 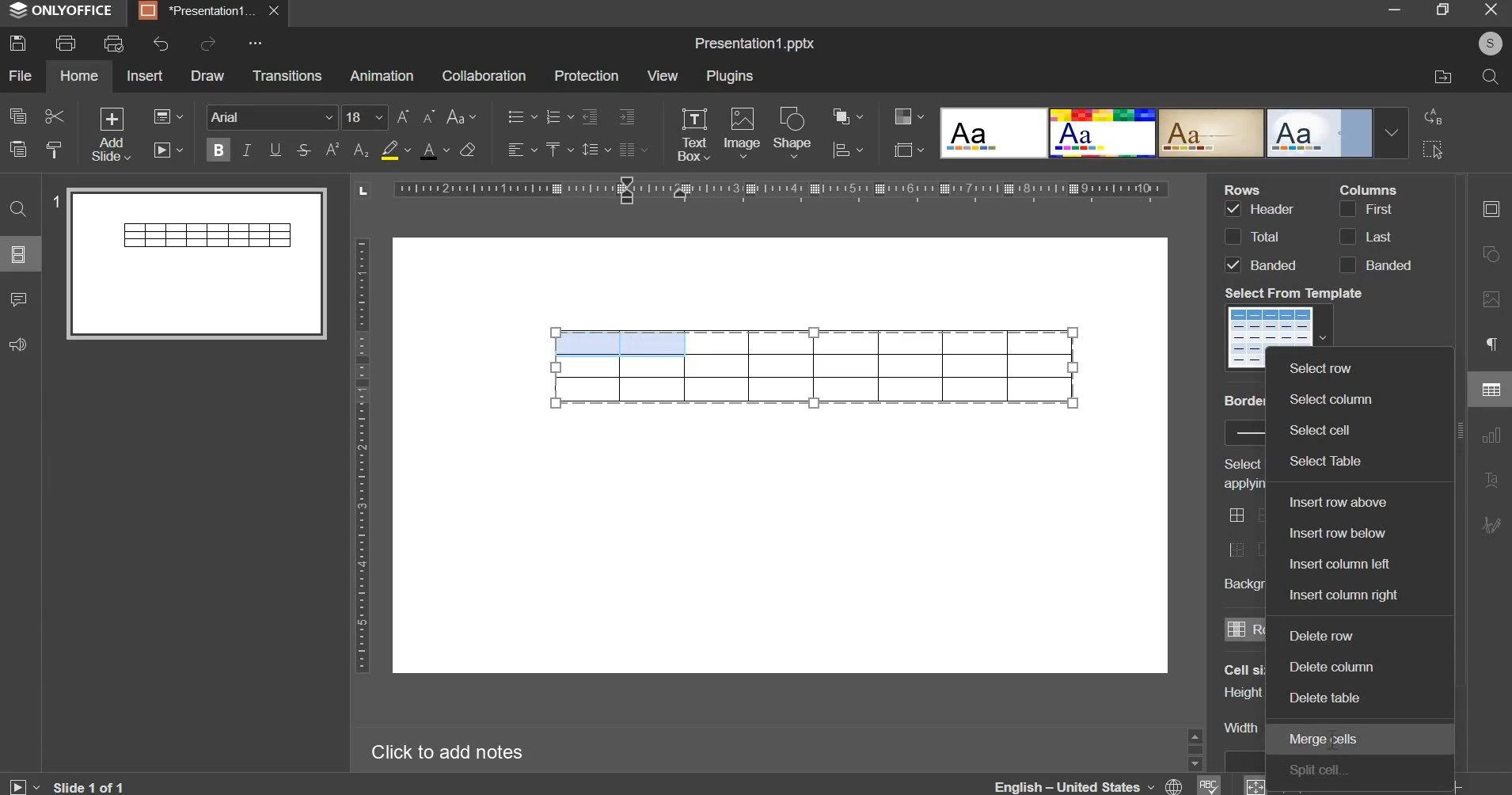 What do you see at coordinates (18, 254) in the screenshot?
I see `slide menu` at bounding box center [18, 254].